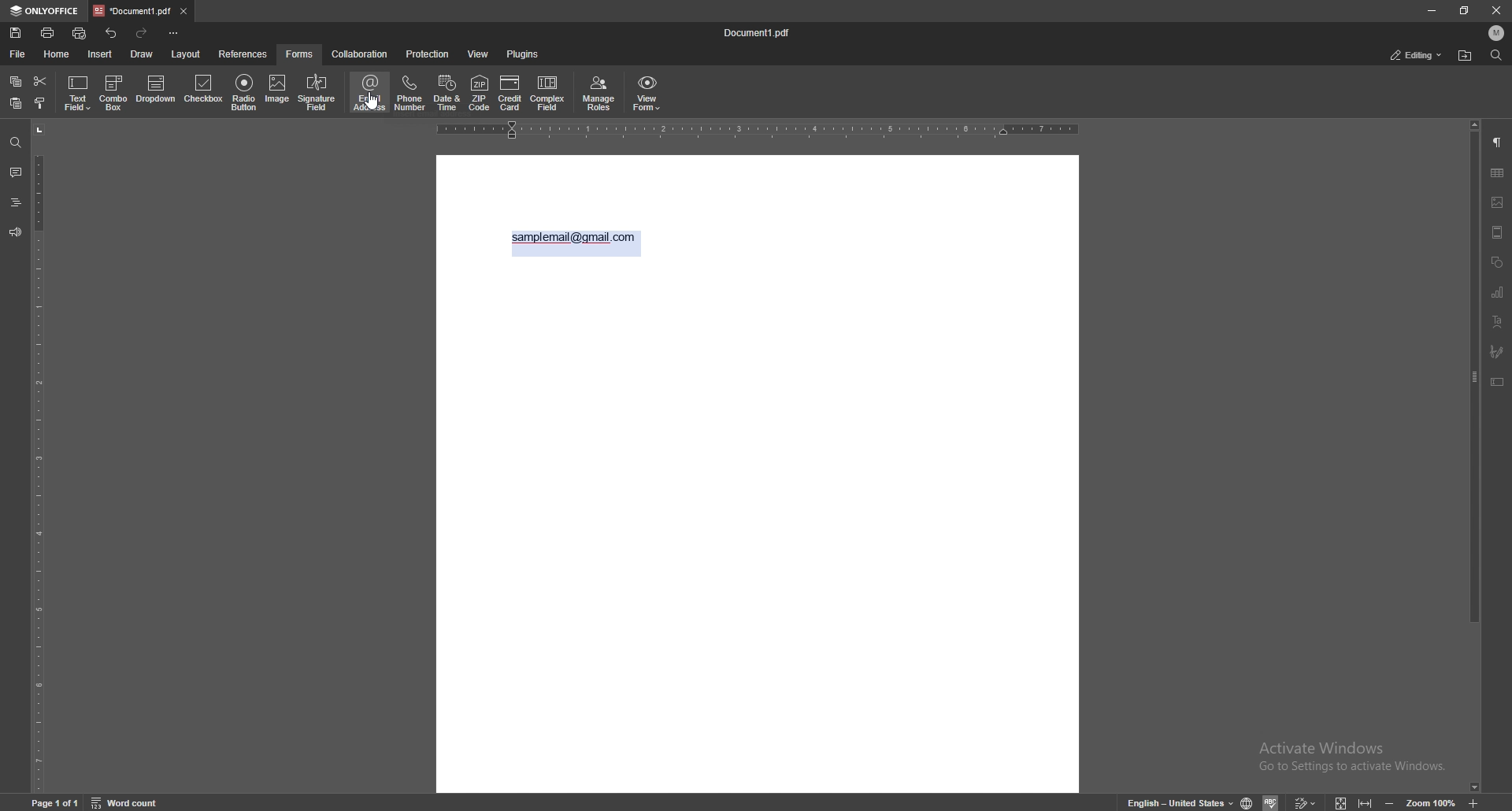 This screenshot has width=1512, height=811. Describe the element at coordinates (1416, 56) in the screenshot. I see `status` at that location.